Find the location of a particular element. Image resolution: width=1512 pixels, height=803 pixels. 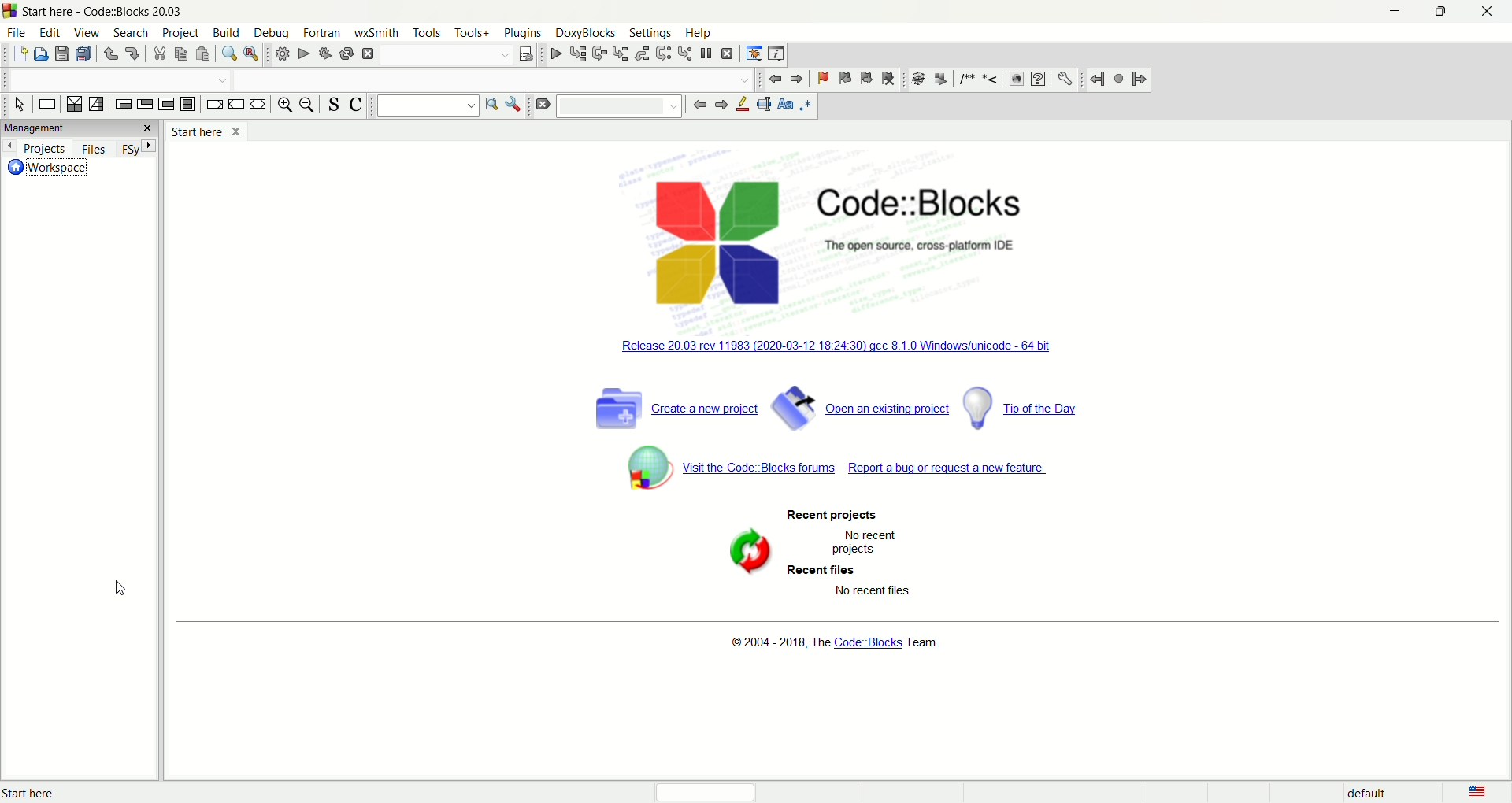

help is located at coordinates (699, 34).